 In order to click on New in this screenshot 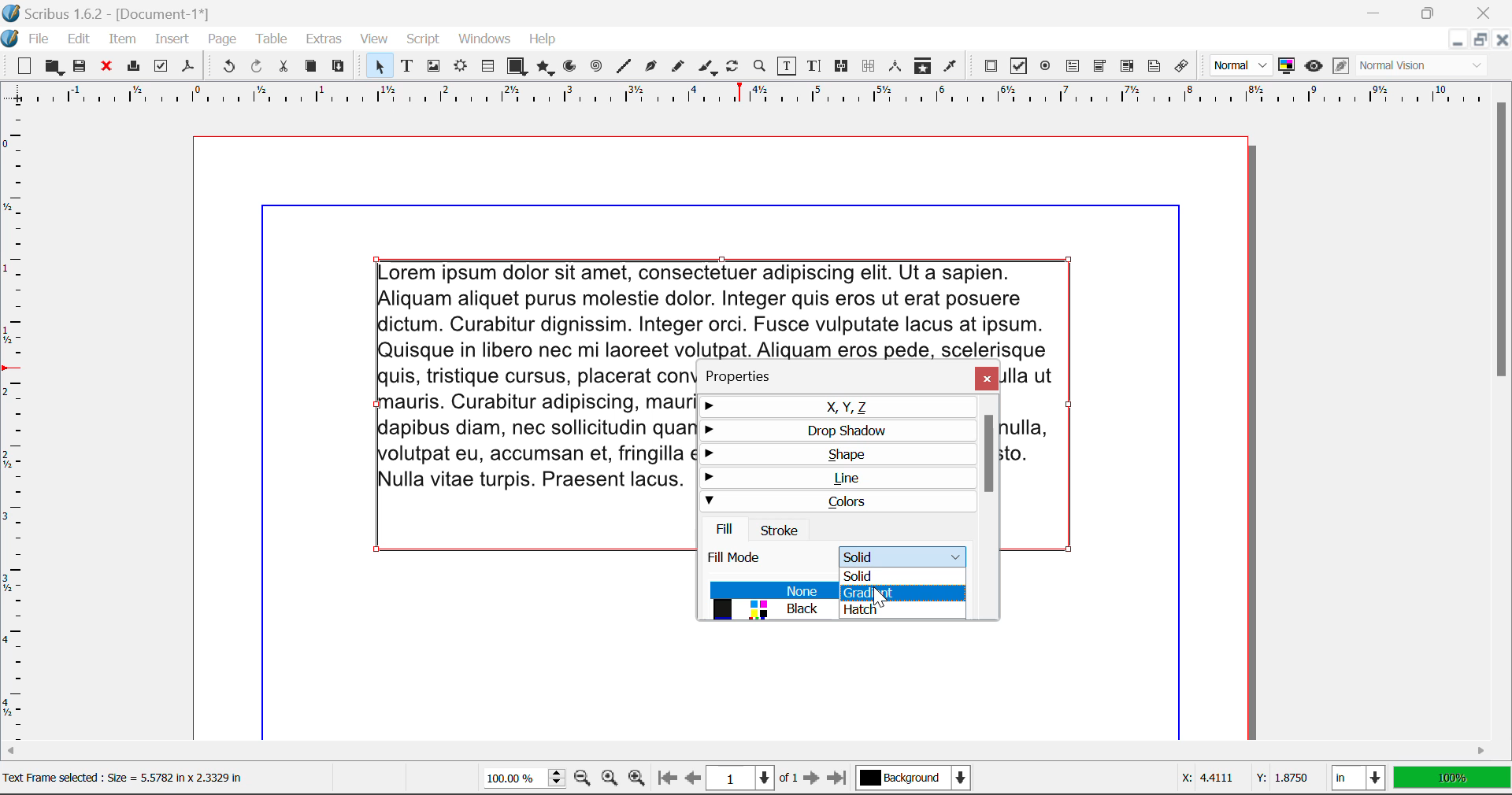, I will do `click(24, 68)`.